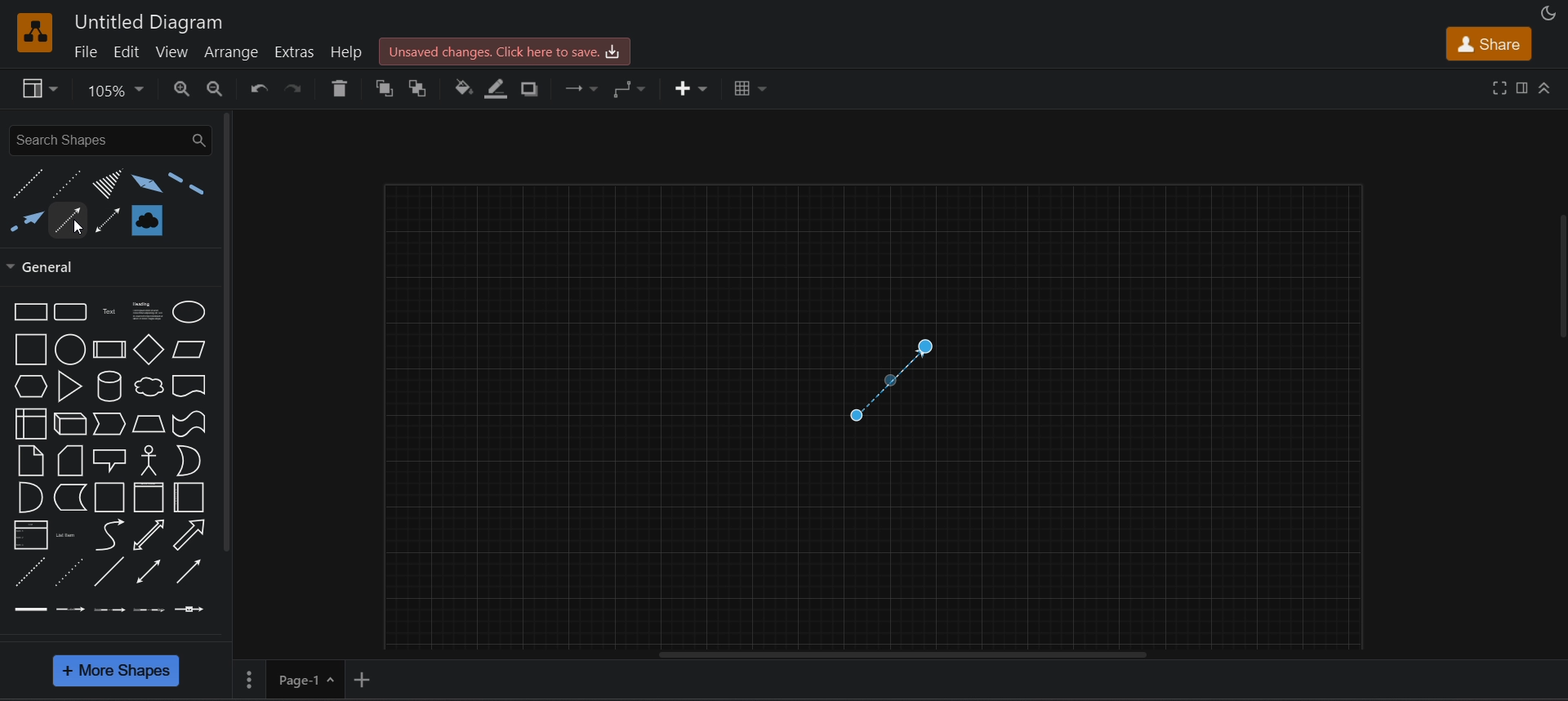 The image size is (1568, 701). What do you see at coordinates (289, 677) in the screenshot?
I see `page 1` at bounding box center [289, 677].